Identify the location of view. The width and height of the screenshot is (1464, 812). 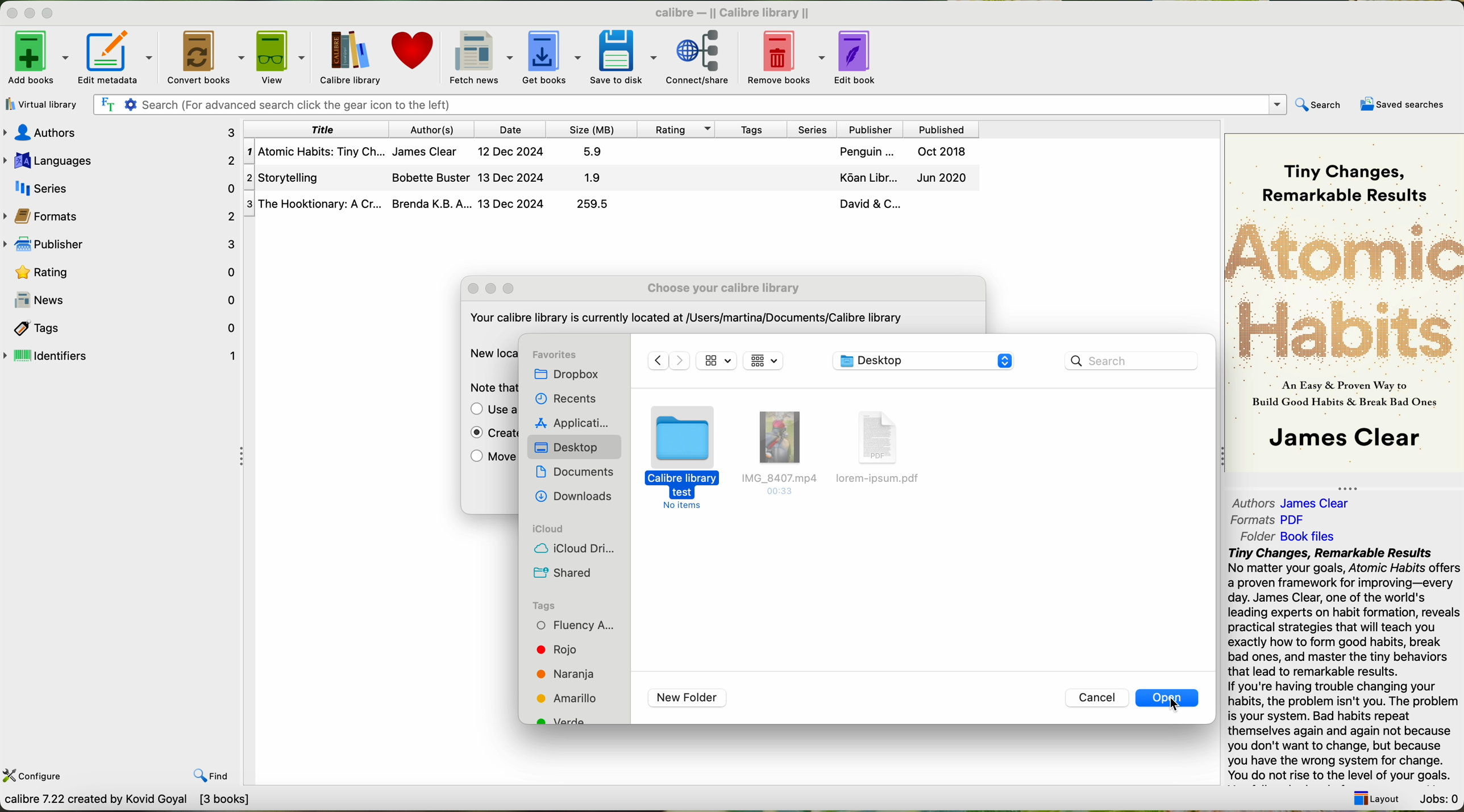
(281, 57).